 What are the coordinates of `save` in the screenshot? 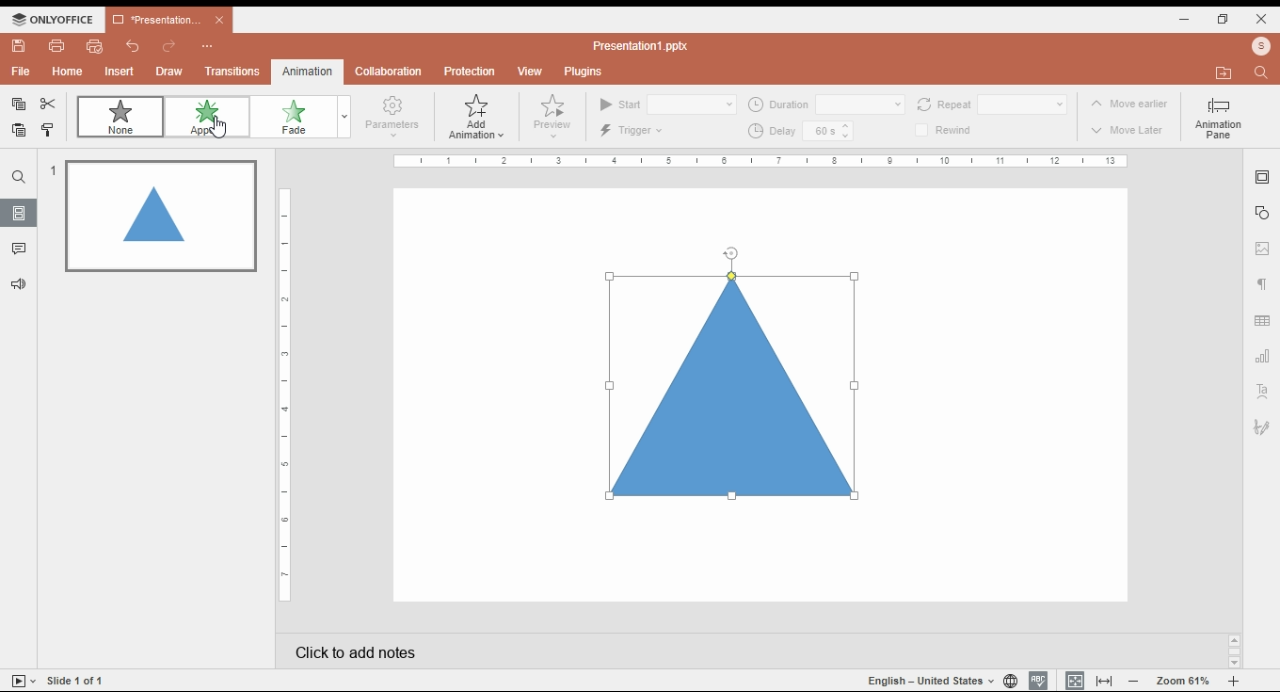 It's located at (20, 46).